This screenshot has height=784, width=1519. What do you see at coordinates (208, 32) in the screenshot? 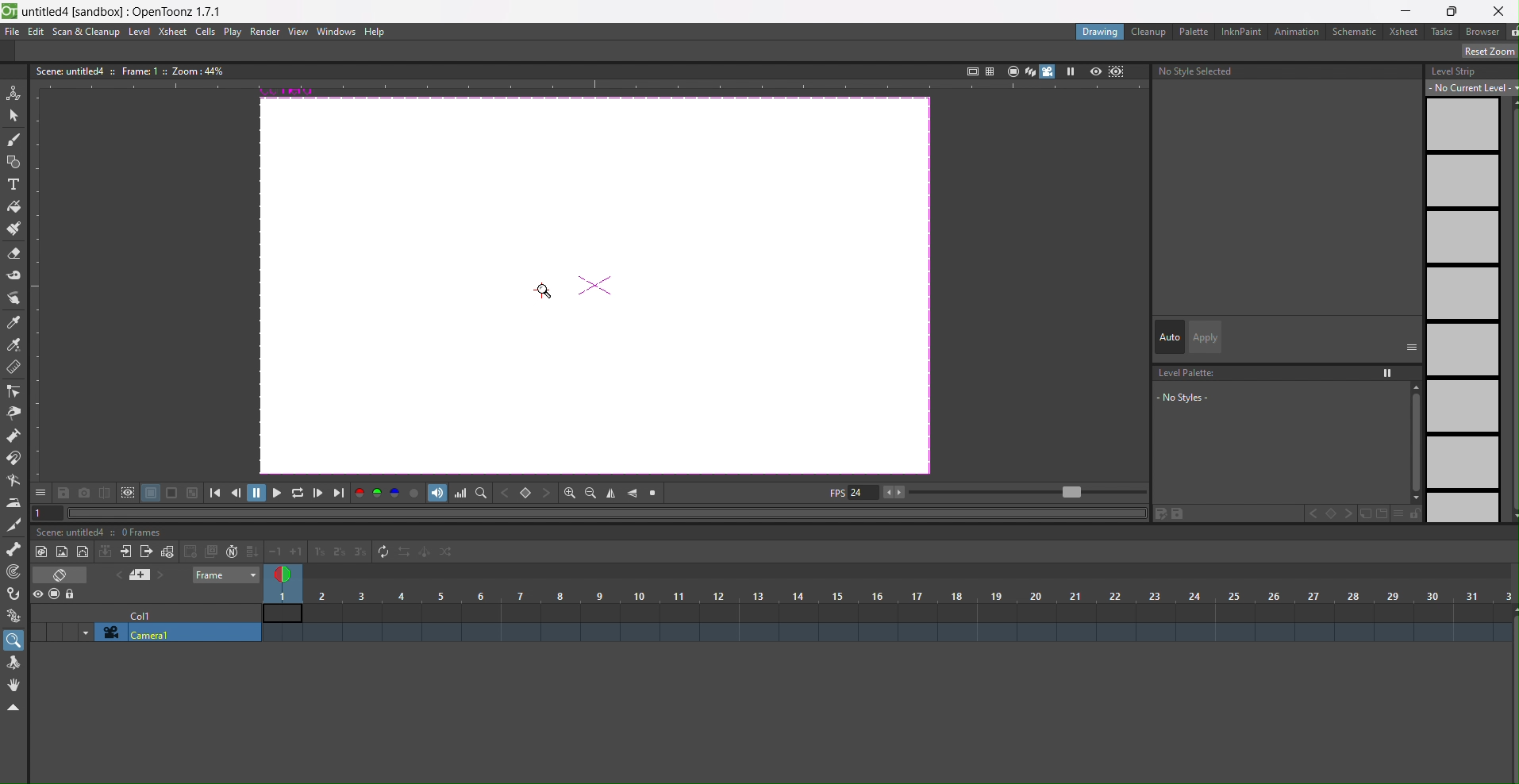
I see `cells` at bounding box center [208, 32].